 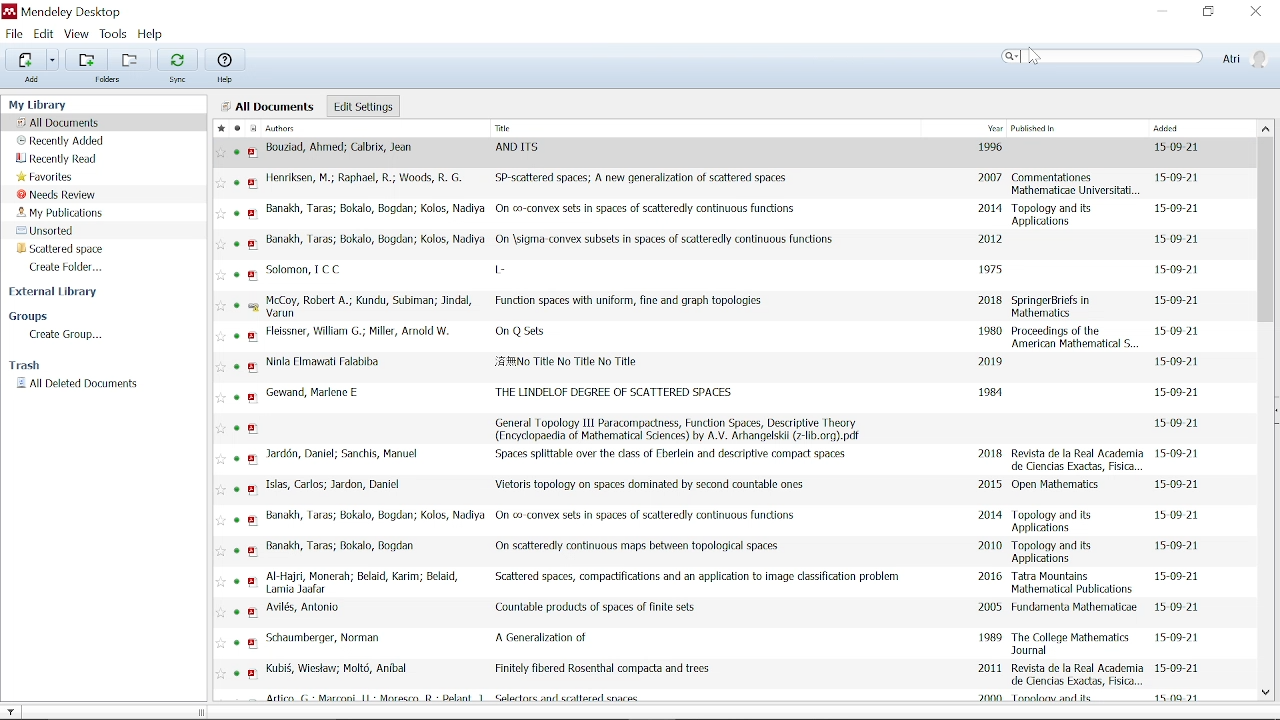 I want to click on Move up in all files, so click(x=1266, y=128).